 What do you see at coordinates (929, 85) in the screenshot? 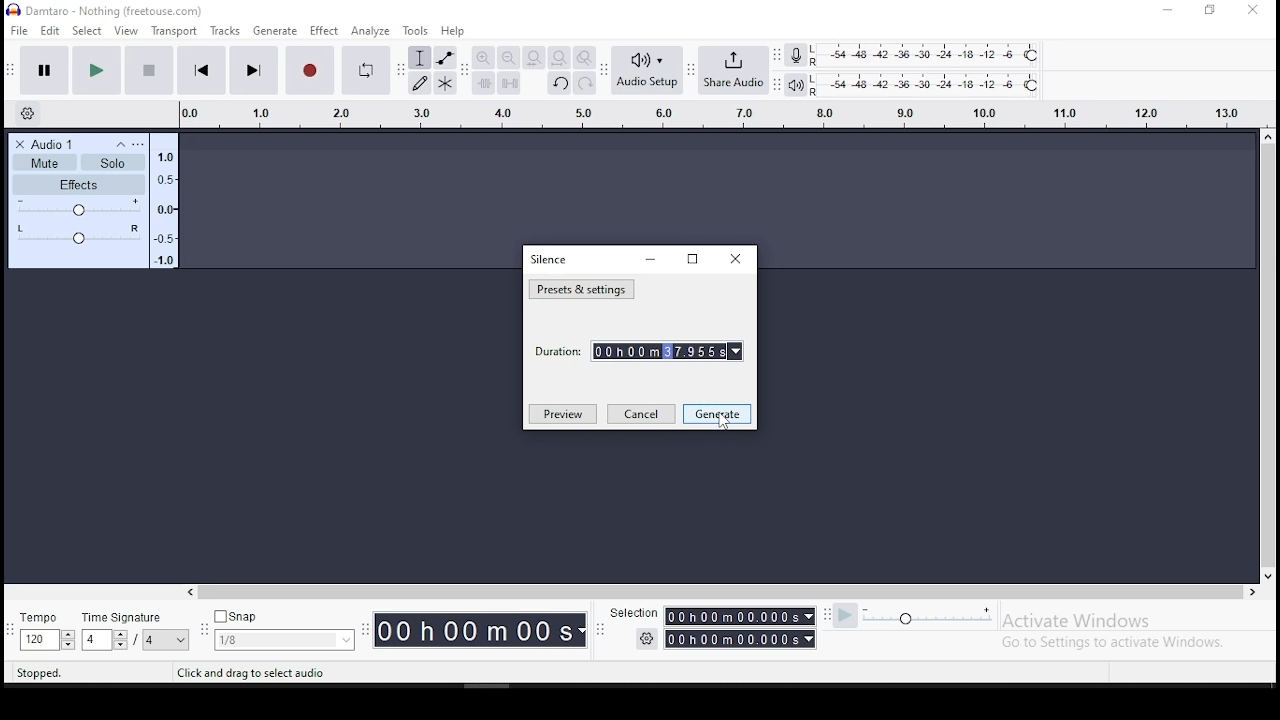
I see `playback level` at bounding box center [929, 85].